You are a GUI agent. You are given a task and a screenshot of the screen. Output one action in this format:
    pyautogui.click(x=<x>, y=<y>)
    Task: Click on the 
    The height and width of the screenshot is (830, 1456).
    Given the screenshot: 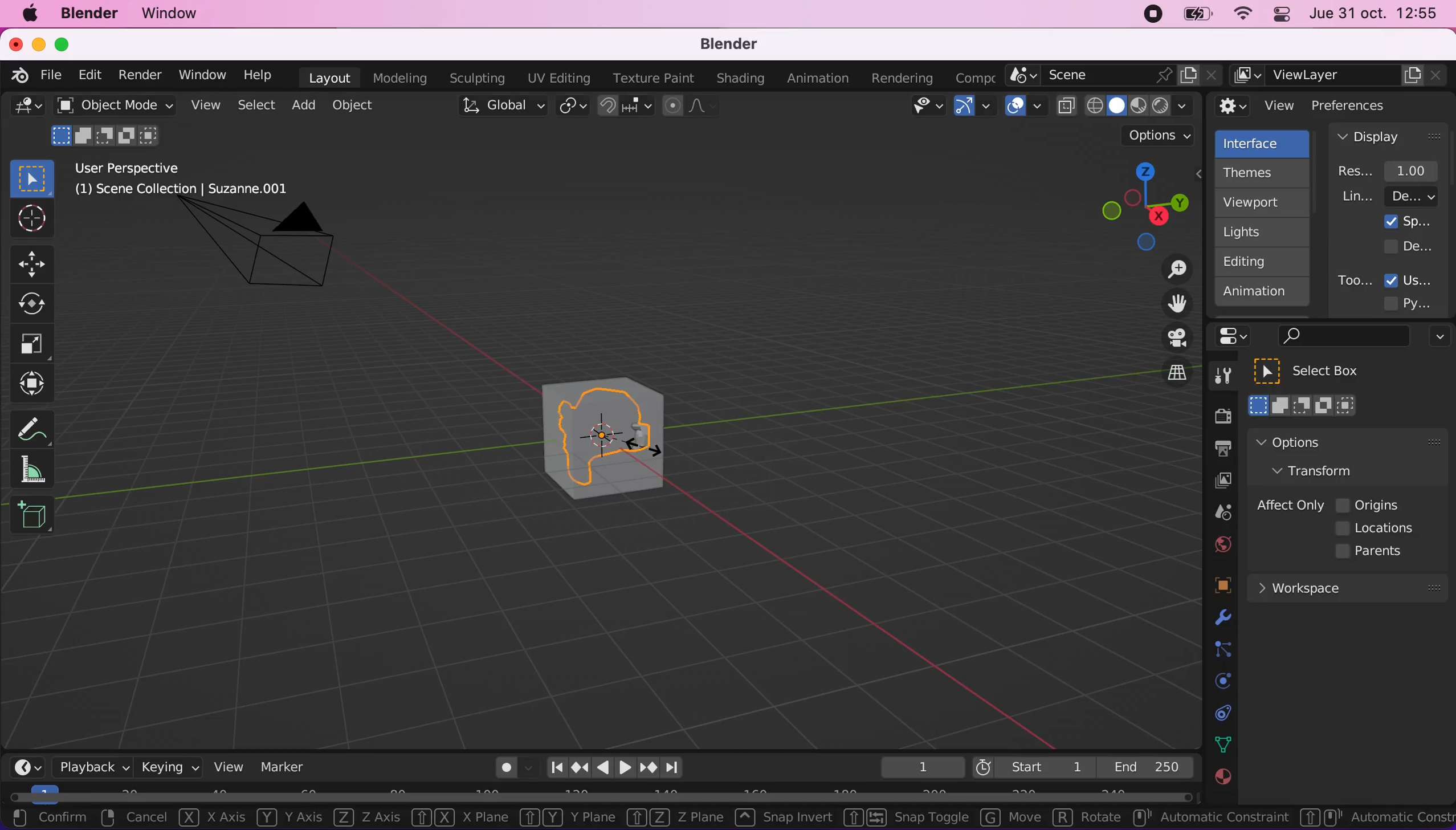 What is the action you would take?
    pyautogui.click(x=38, y=304)
    